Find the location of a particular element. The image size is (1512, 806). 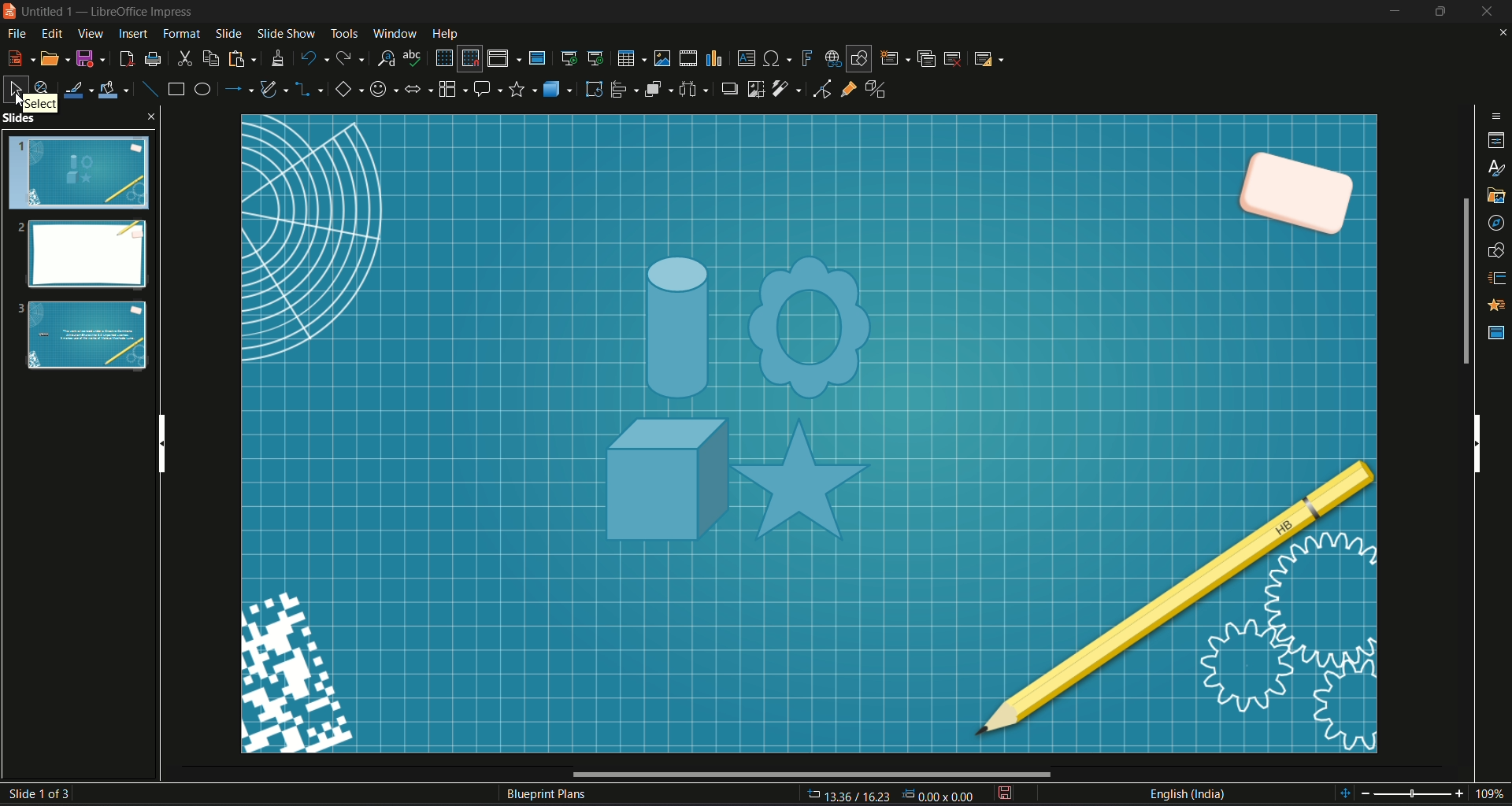

insert audio video is located at coordinates (687, 58).